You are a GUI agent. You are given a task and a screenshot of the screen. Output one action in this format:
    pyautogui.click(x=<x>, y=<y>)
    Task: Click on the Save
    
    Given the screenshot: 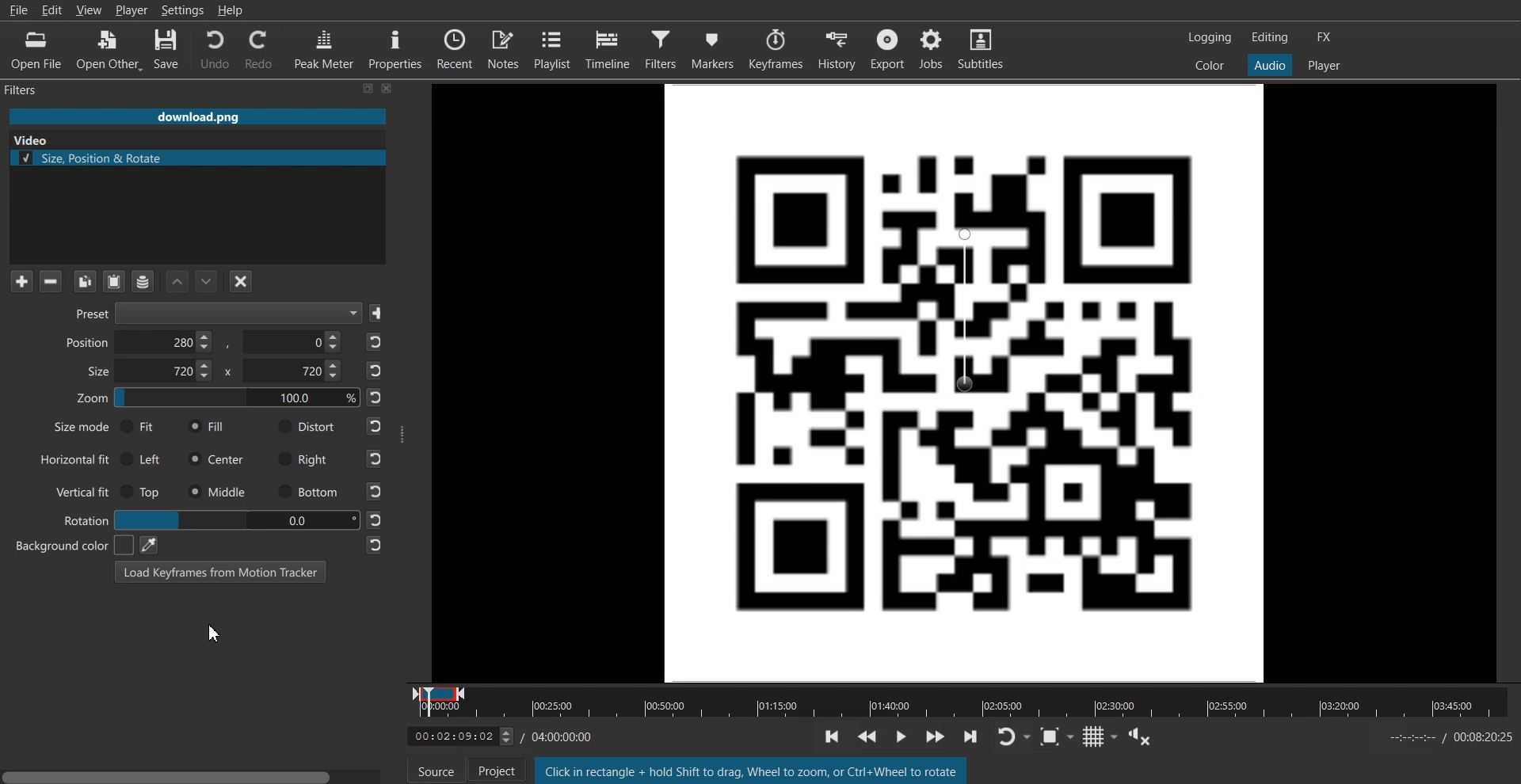 What is the action you would take?
    pyautogui.click(x=169, y=49)
    